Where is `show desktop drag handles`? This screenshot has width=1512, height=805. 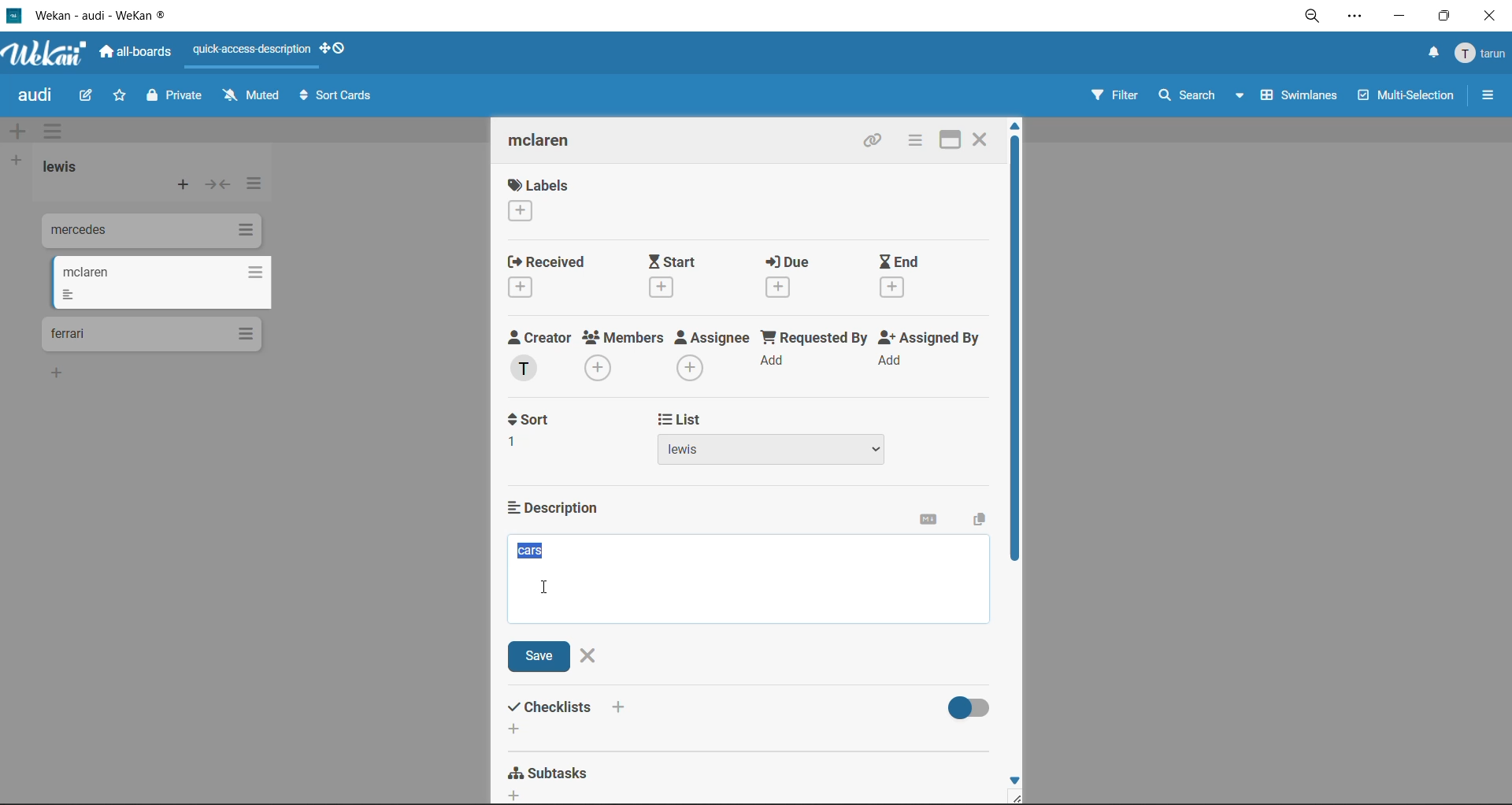 show desktop drag handles is located at coordinates (336, 48).